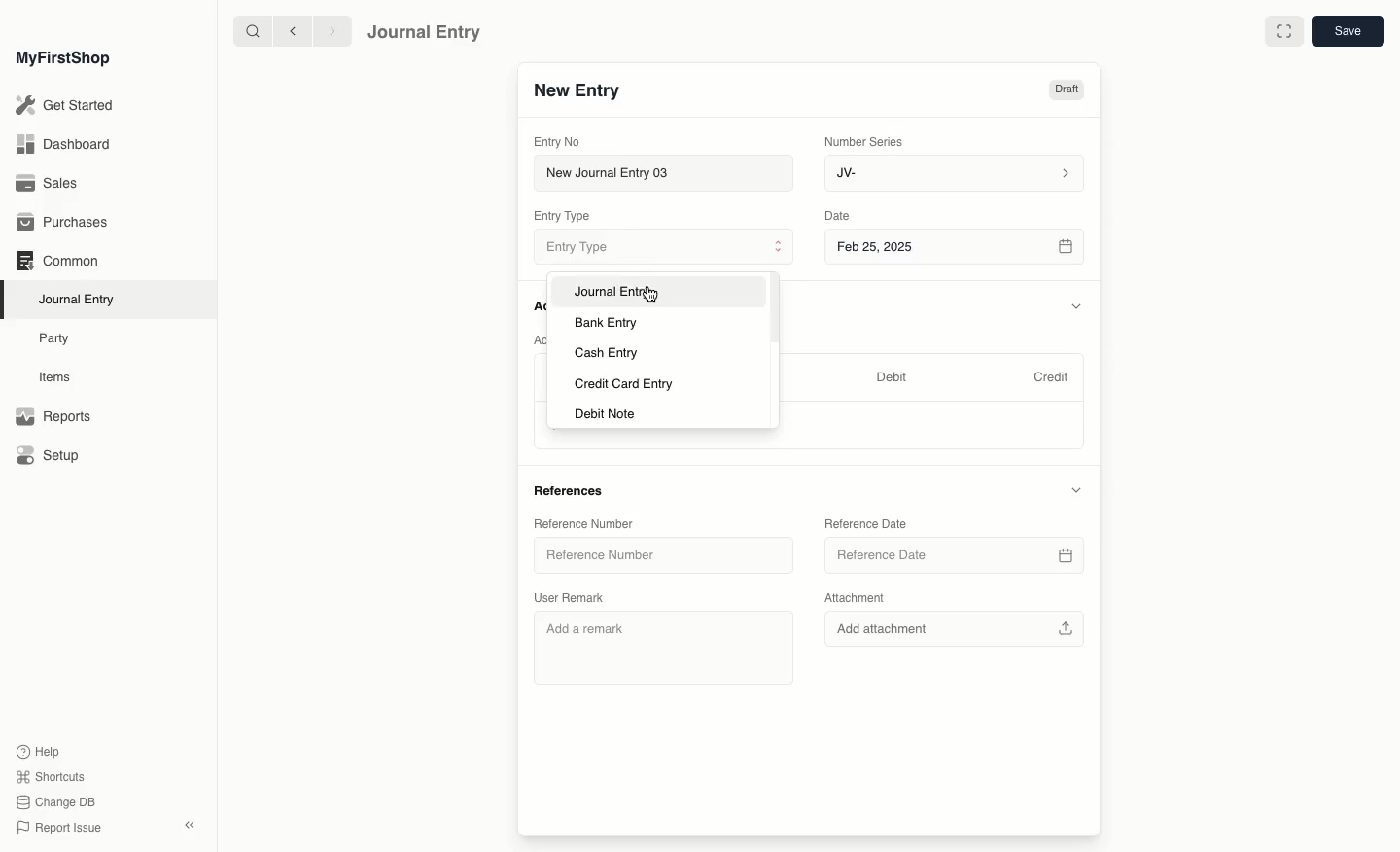 Image resolution: width=1400 pixels, height=852 pixels. Describe the element at coordinates (62, 143) in the screenshot. I see `Dashboard` at that location.